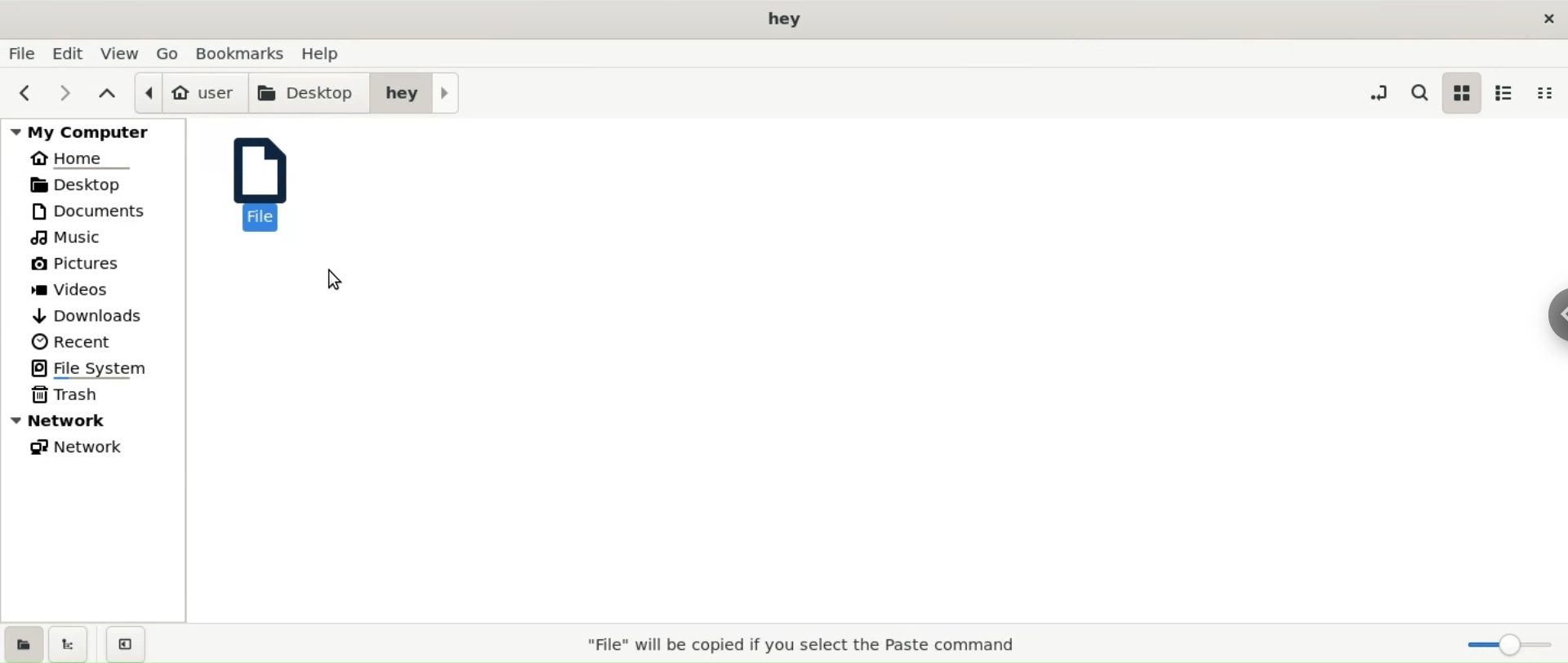 The width and height of the screenshot is (1568, 663). I want to click on zoom, so click(1503, 643).